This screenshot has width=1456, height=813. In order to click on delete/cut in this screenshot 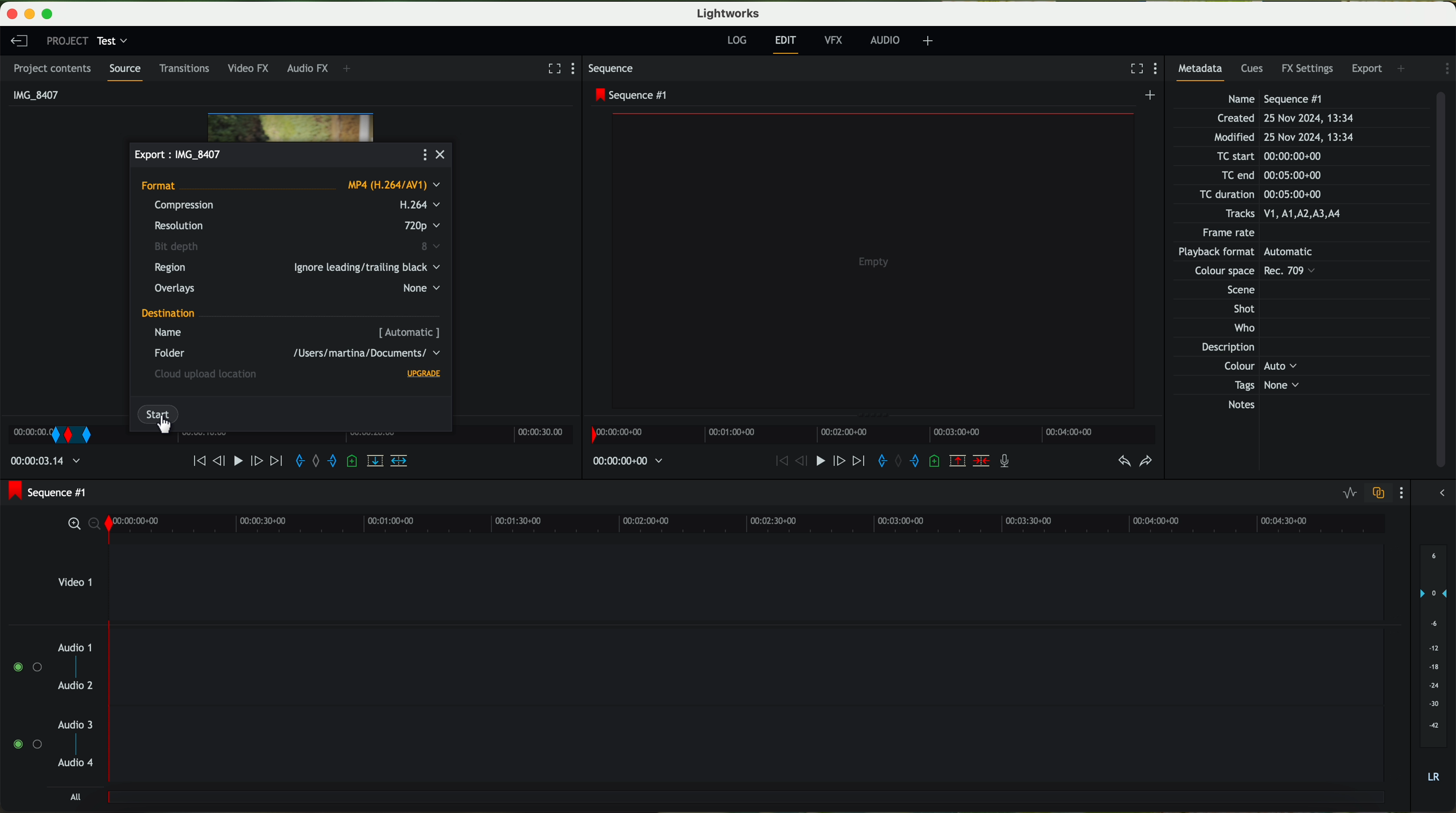, I will do `click(981, 461)`.